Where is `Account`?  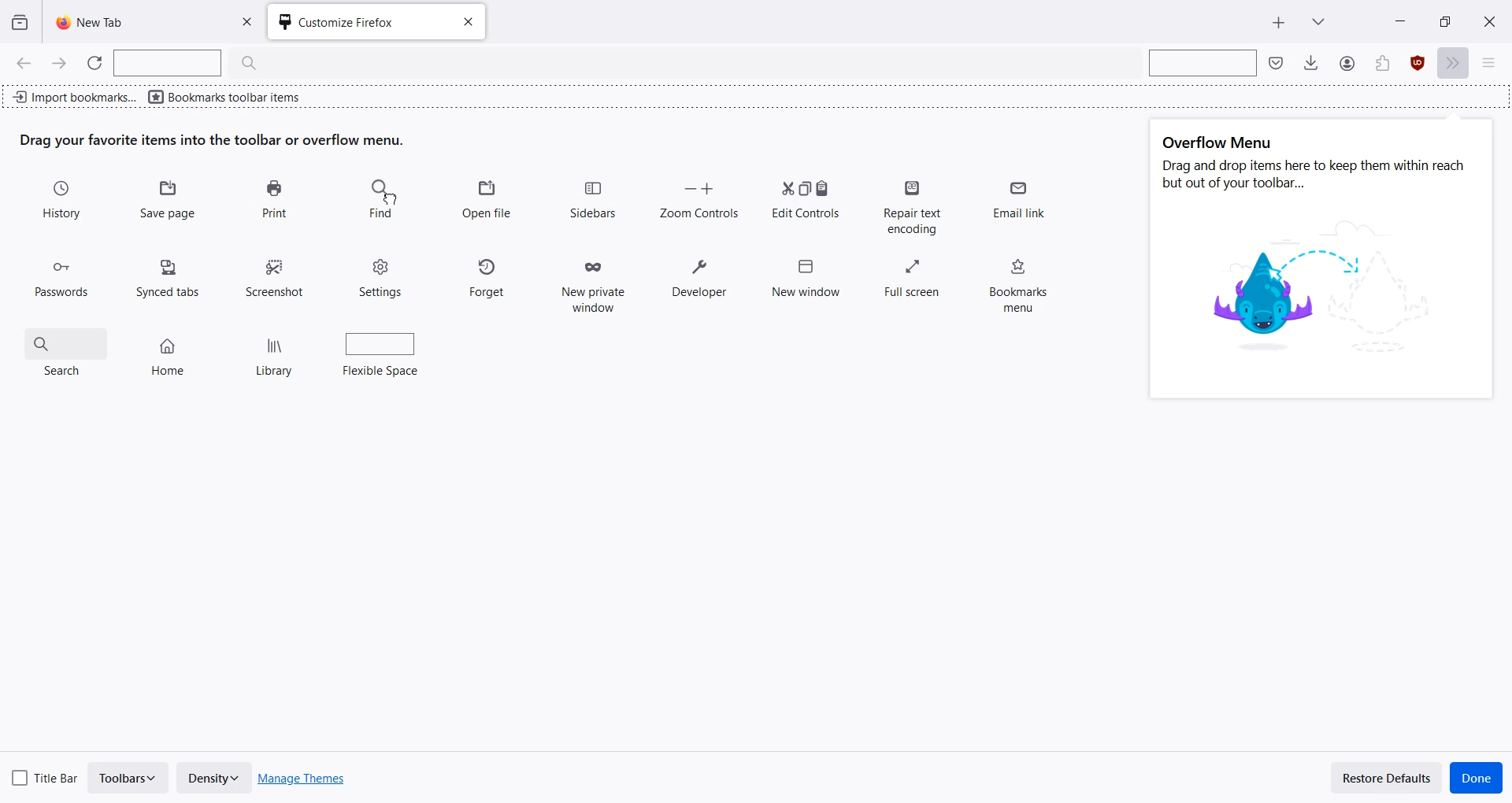
Account is located at coordinates (1382, 64).